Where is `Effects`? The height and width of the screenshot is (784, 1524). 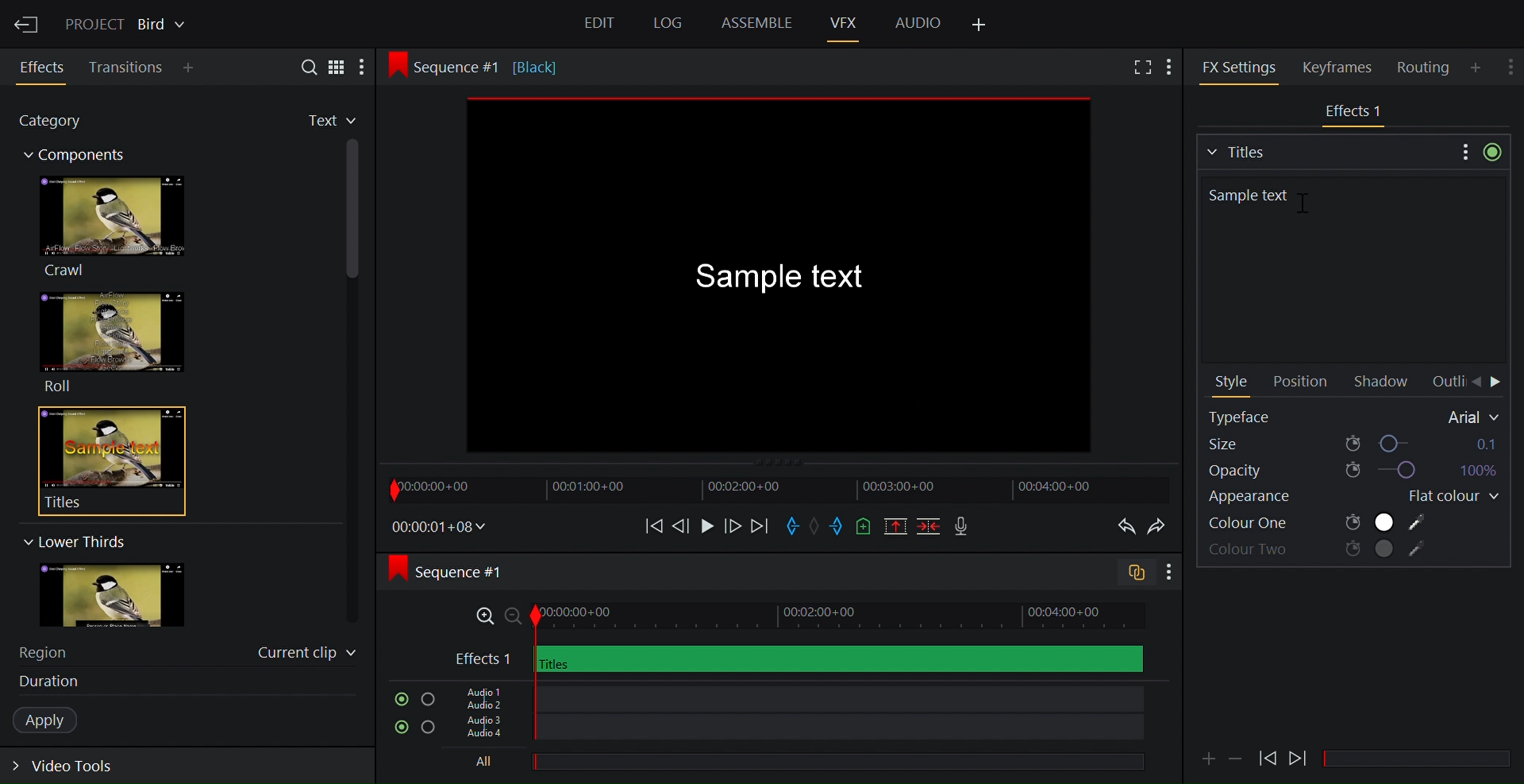
Effects is located at coordinates (44, 67).